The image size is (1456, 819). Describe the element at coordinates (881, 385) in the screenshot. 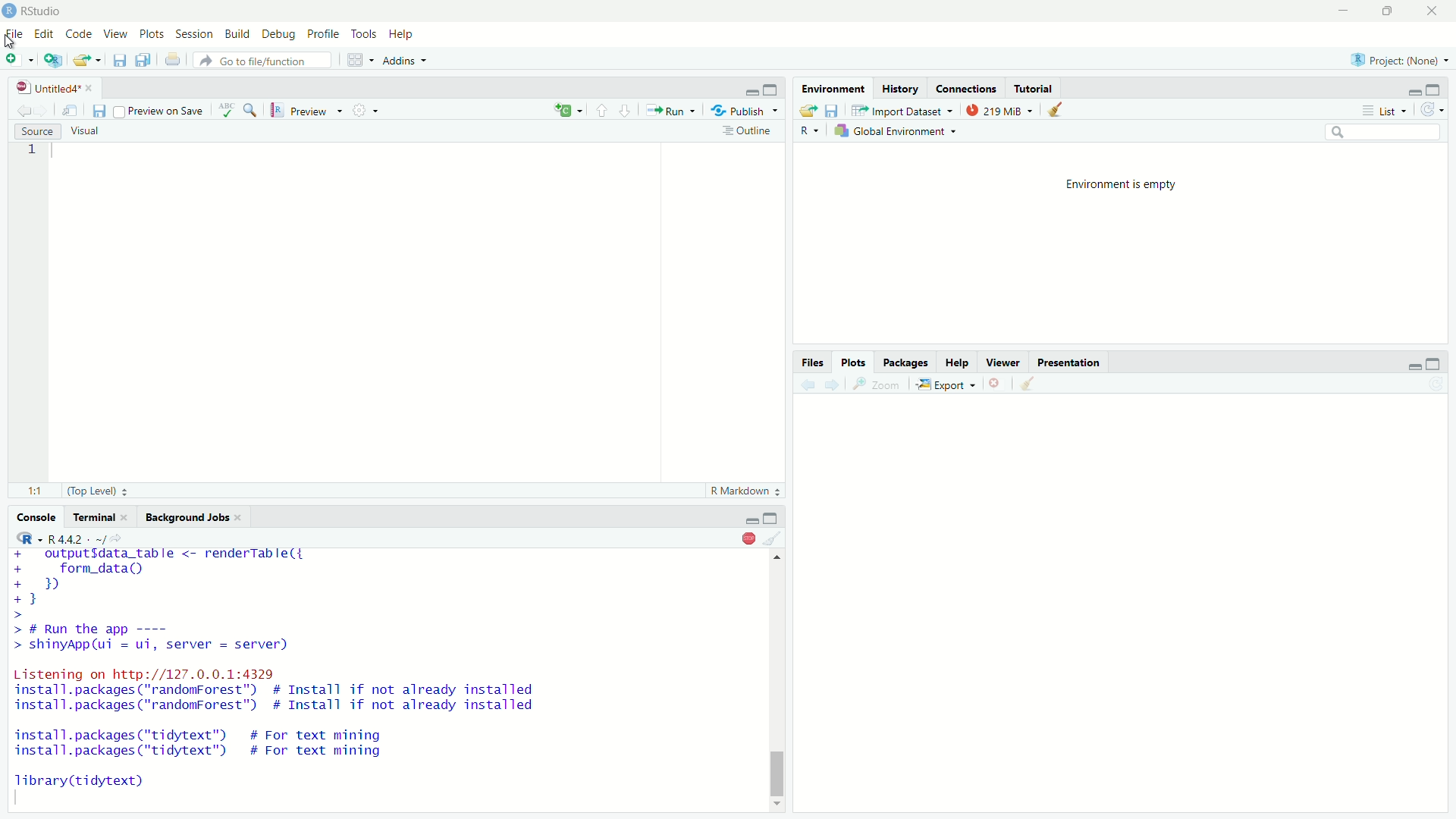

I see `Zoom` at that location.